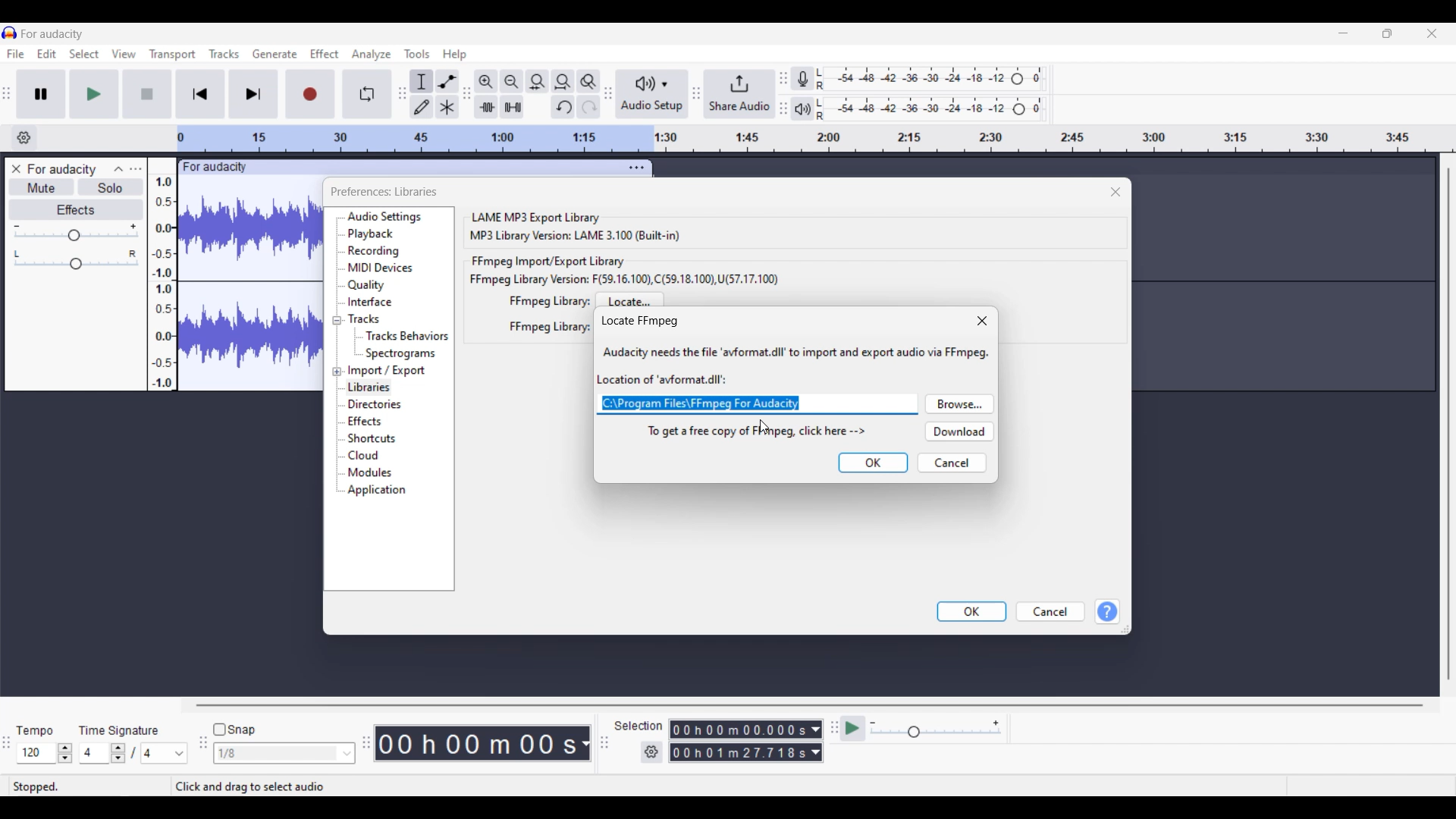 The image size is (1456, 819). I want to click on Audio settings, so click(385, 217).